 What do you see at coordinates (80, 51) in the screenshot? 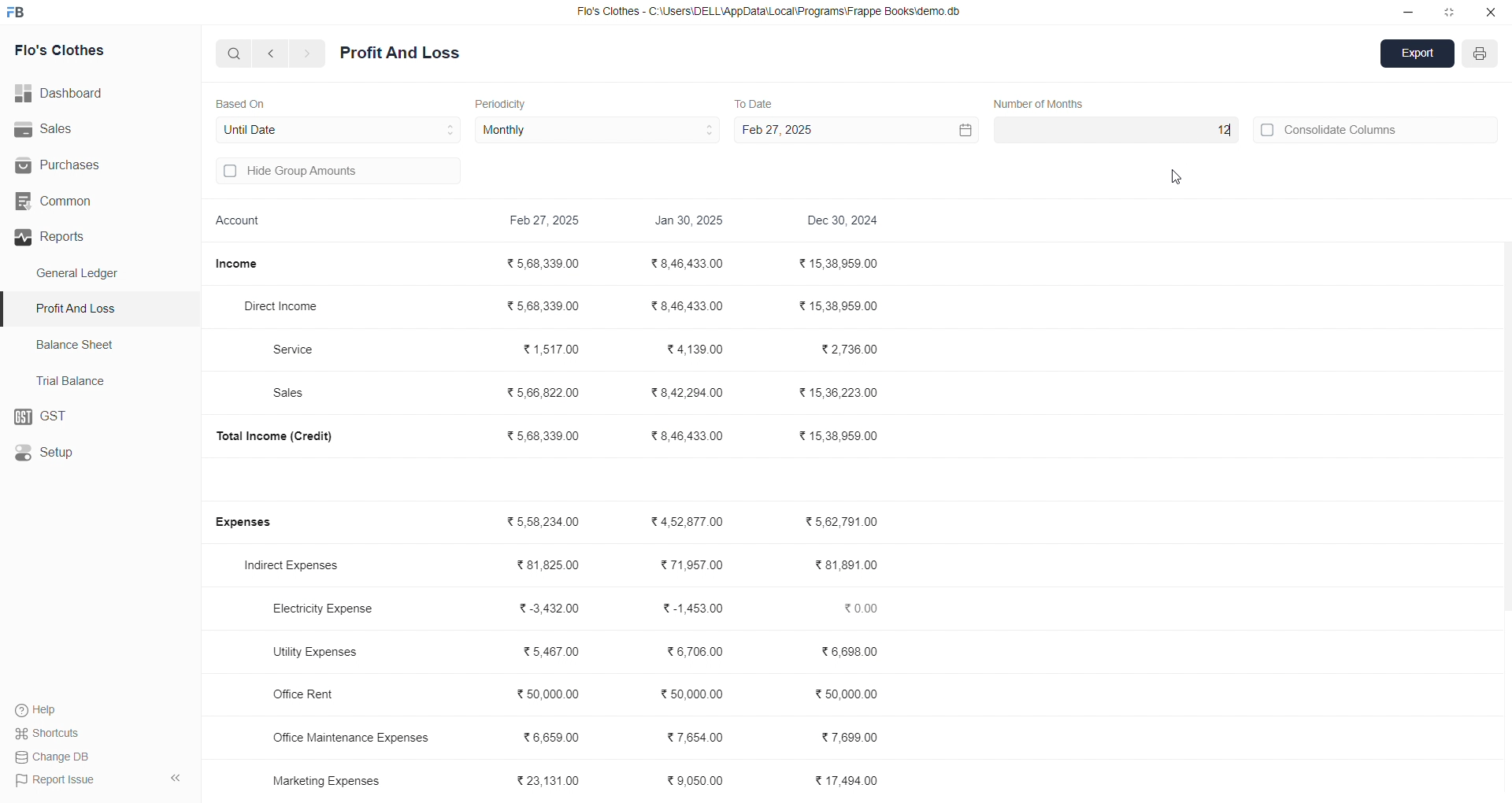
I see `Flo's Clothes` at bounding box center [80, 51].